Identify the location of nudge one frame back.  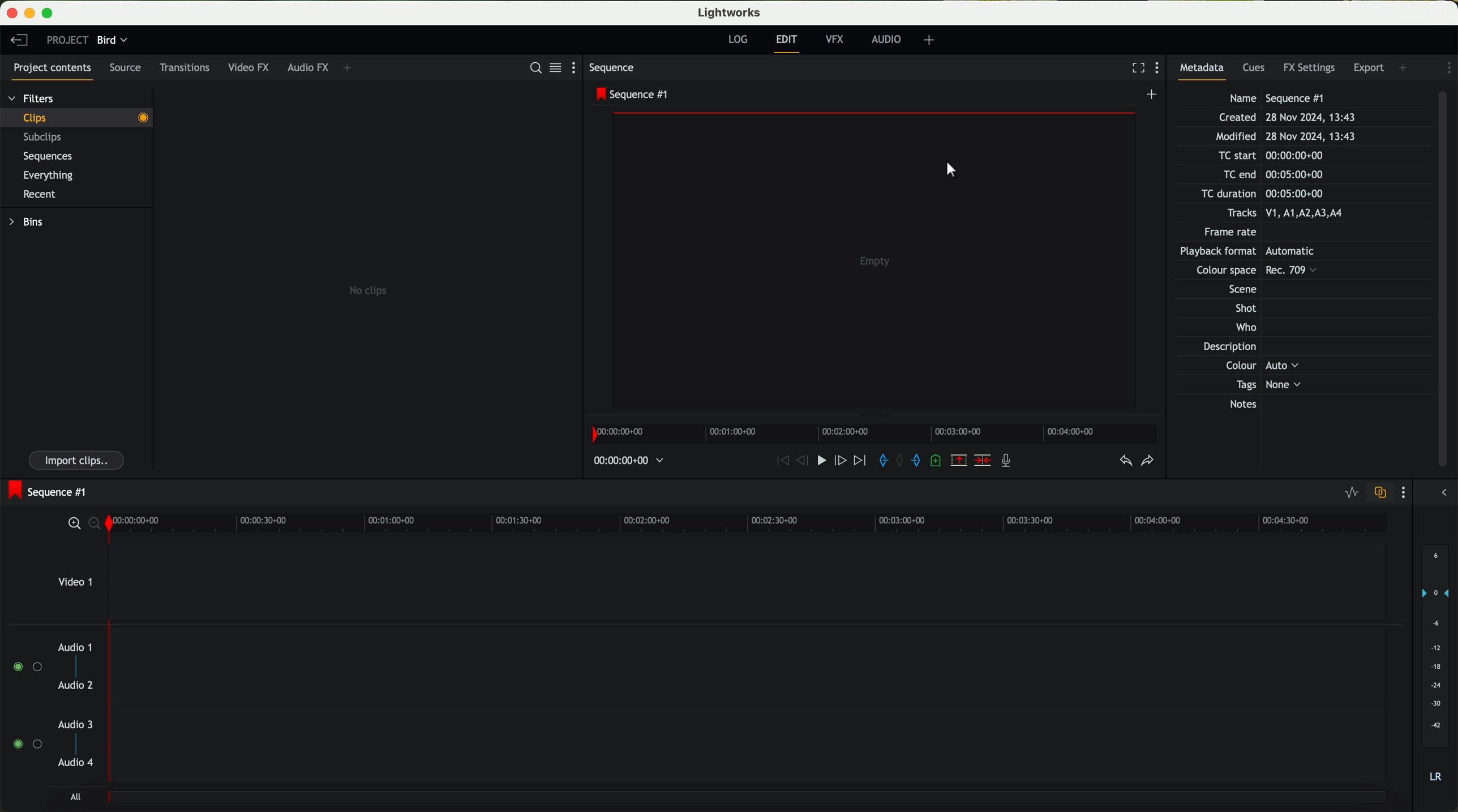
(804, 464).